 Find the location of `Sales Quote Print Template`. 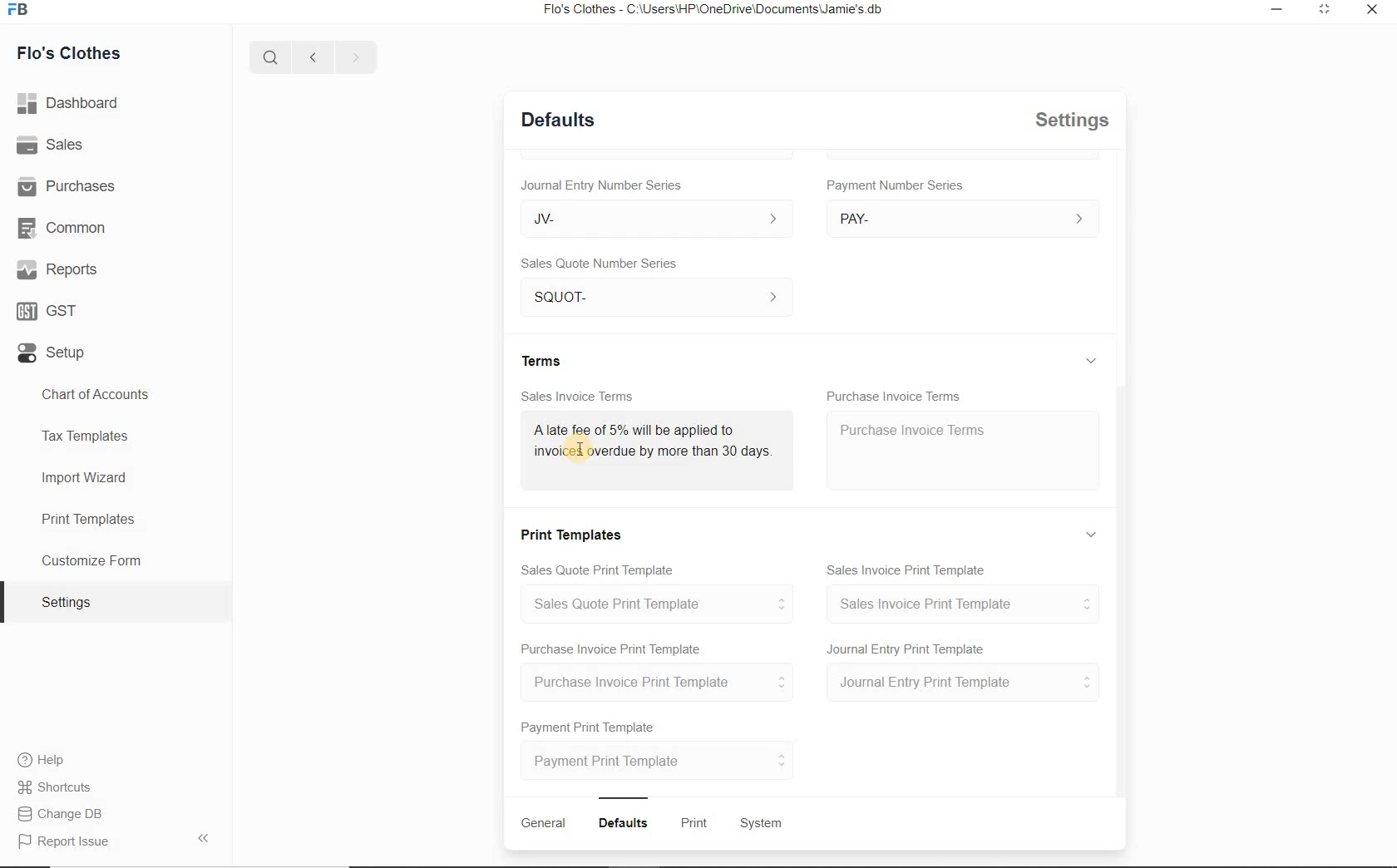

Sales Quote Print Template is located at coordinates (601, 568).